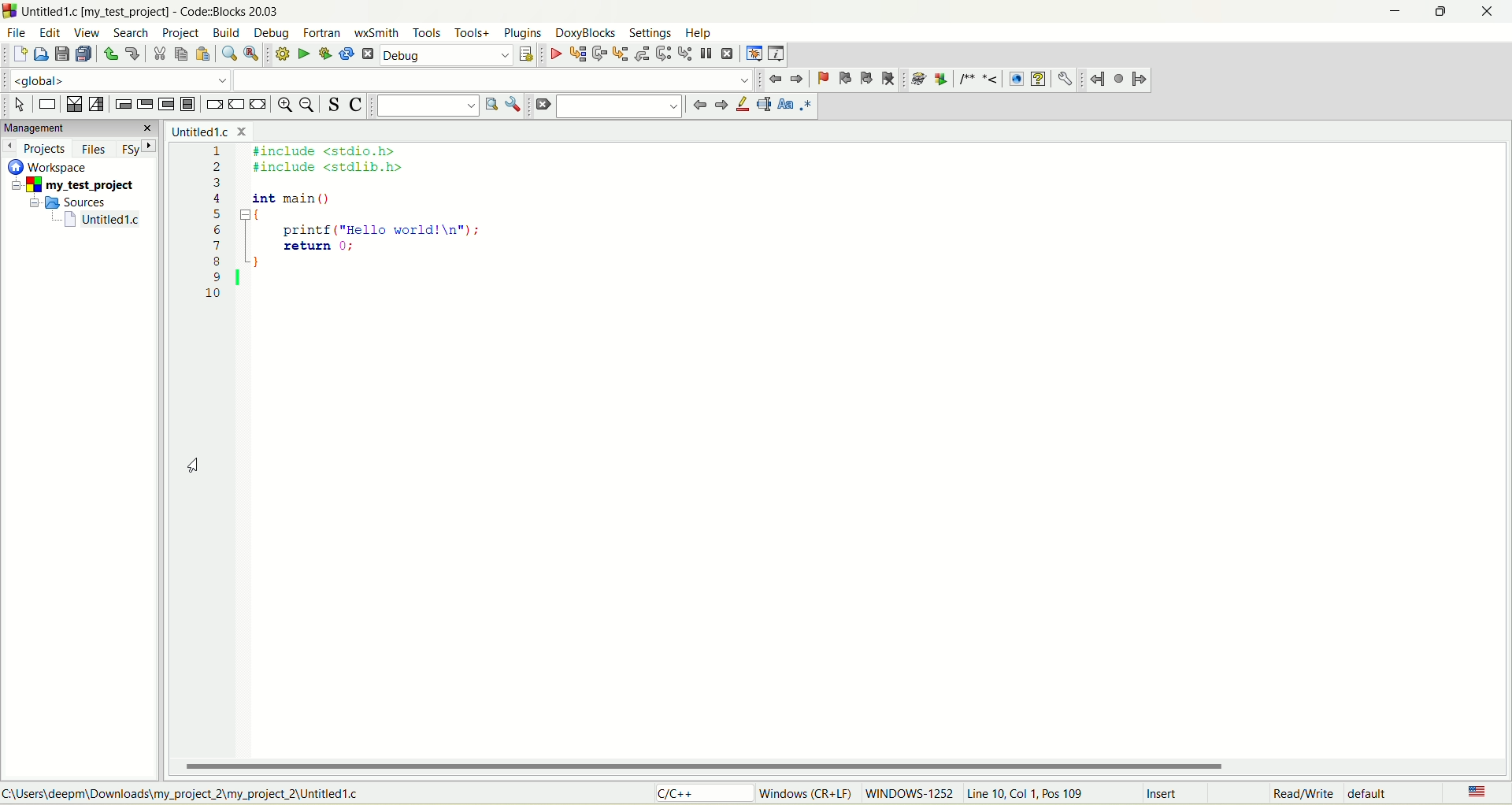  What do you see at coordinates (96, 105) in the screenshot?
I see `selection` at bounding box center [96, 105].